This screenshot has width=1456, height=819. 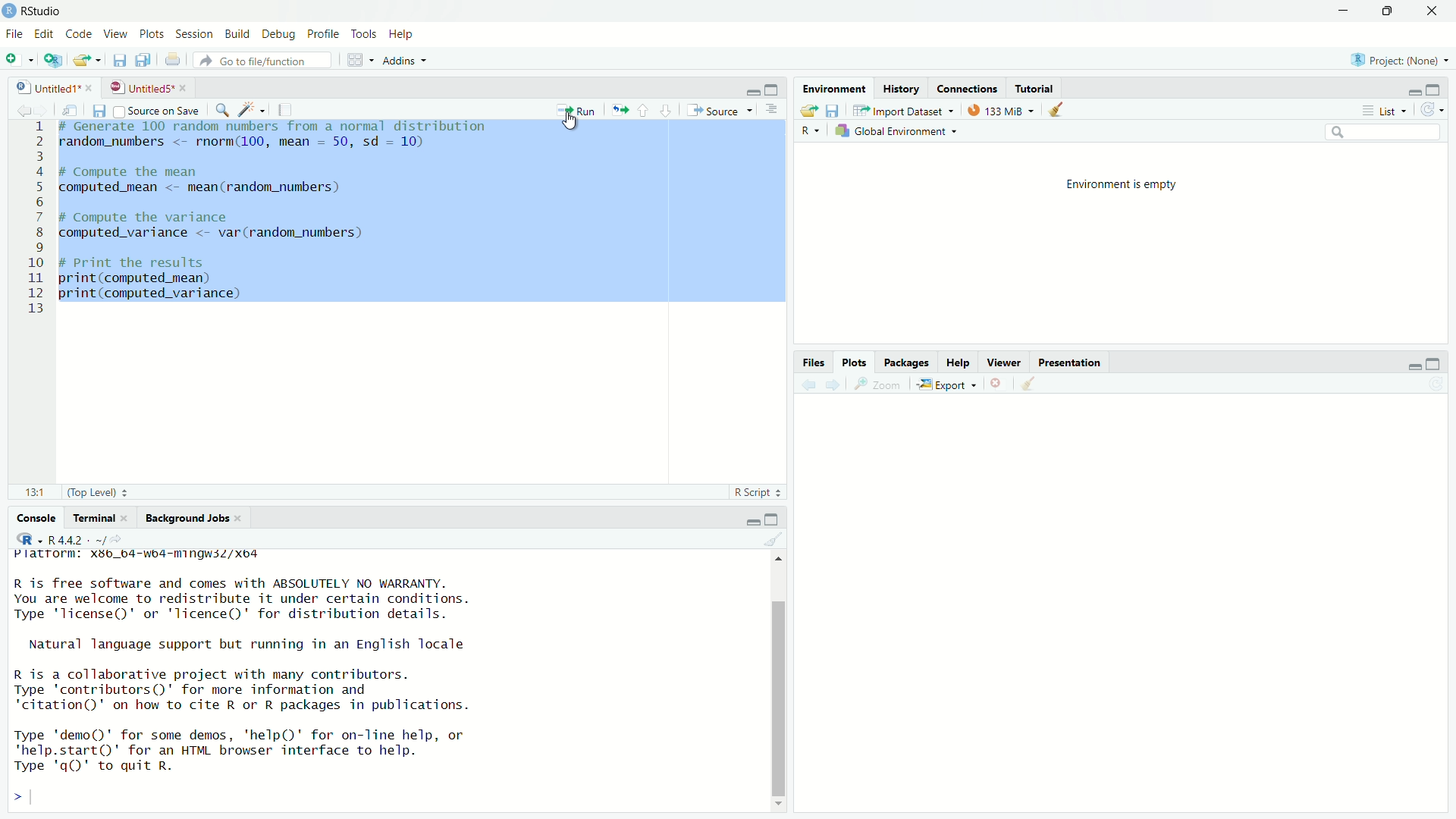 I want to click on help, so click(x=959, y=360).